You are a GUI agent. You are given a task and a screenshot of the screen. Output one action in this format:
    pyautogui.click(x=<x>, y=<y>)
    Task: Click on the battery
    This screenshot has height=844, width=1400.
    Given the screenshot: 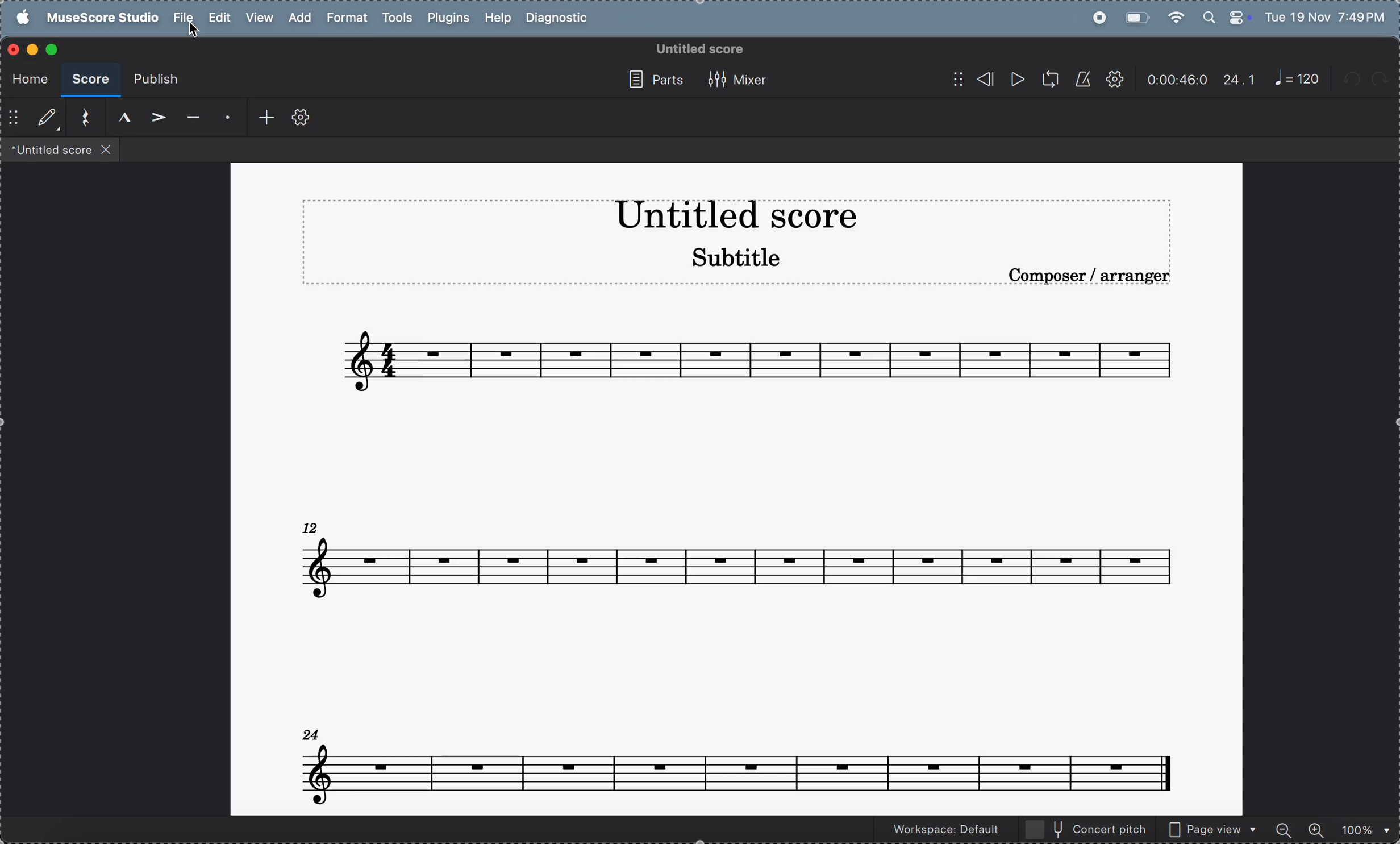 What is the action you would take?
    pyautogui.click(x=1135, y=16)
    